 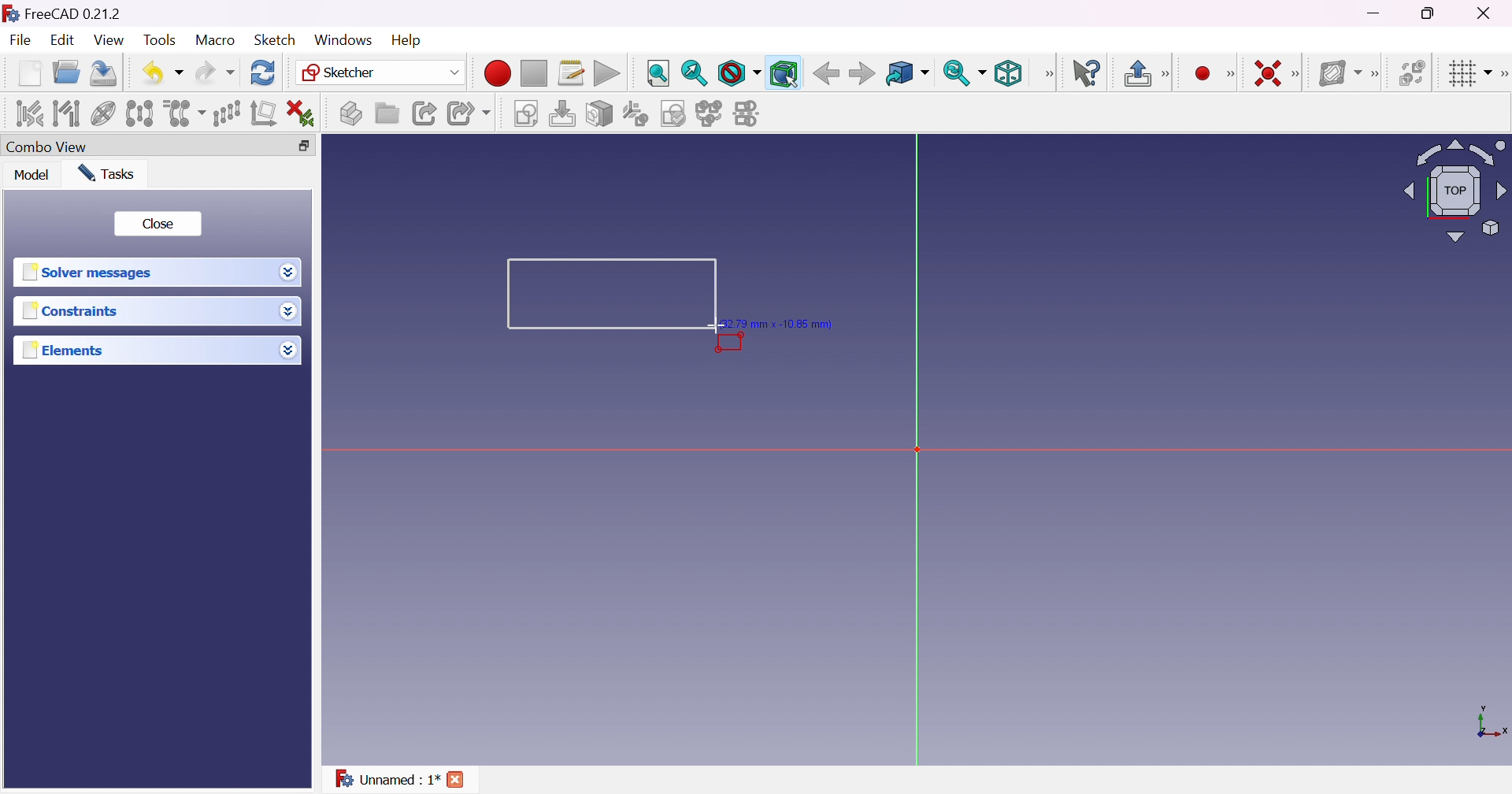 I want to click on Save, so click(x=105, y=74).